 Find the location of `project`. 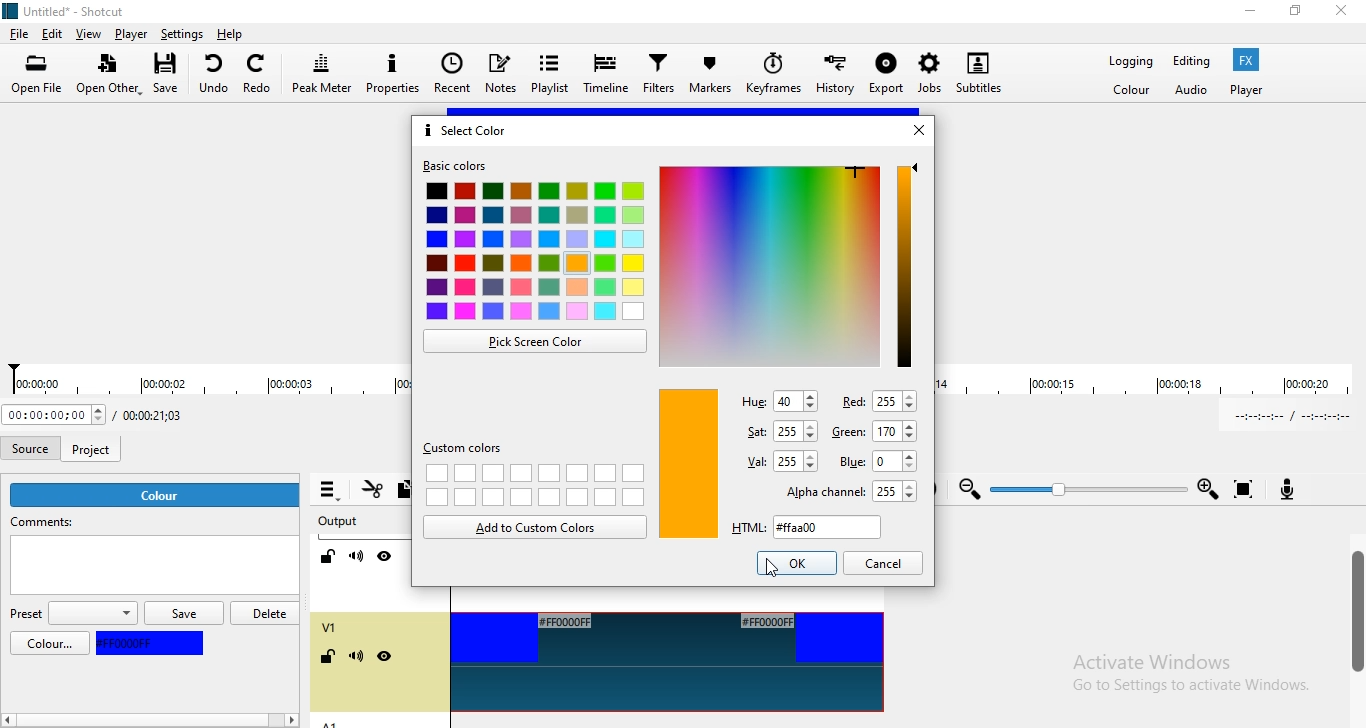

project is located at coordinates (94, 445).